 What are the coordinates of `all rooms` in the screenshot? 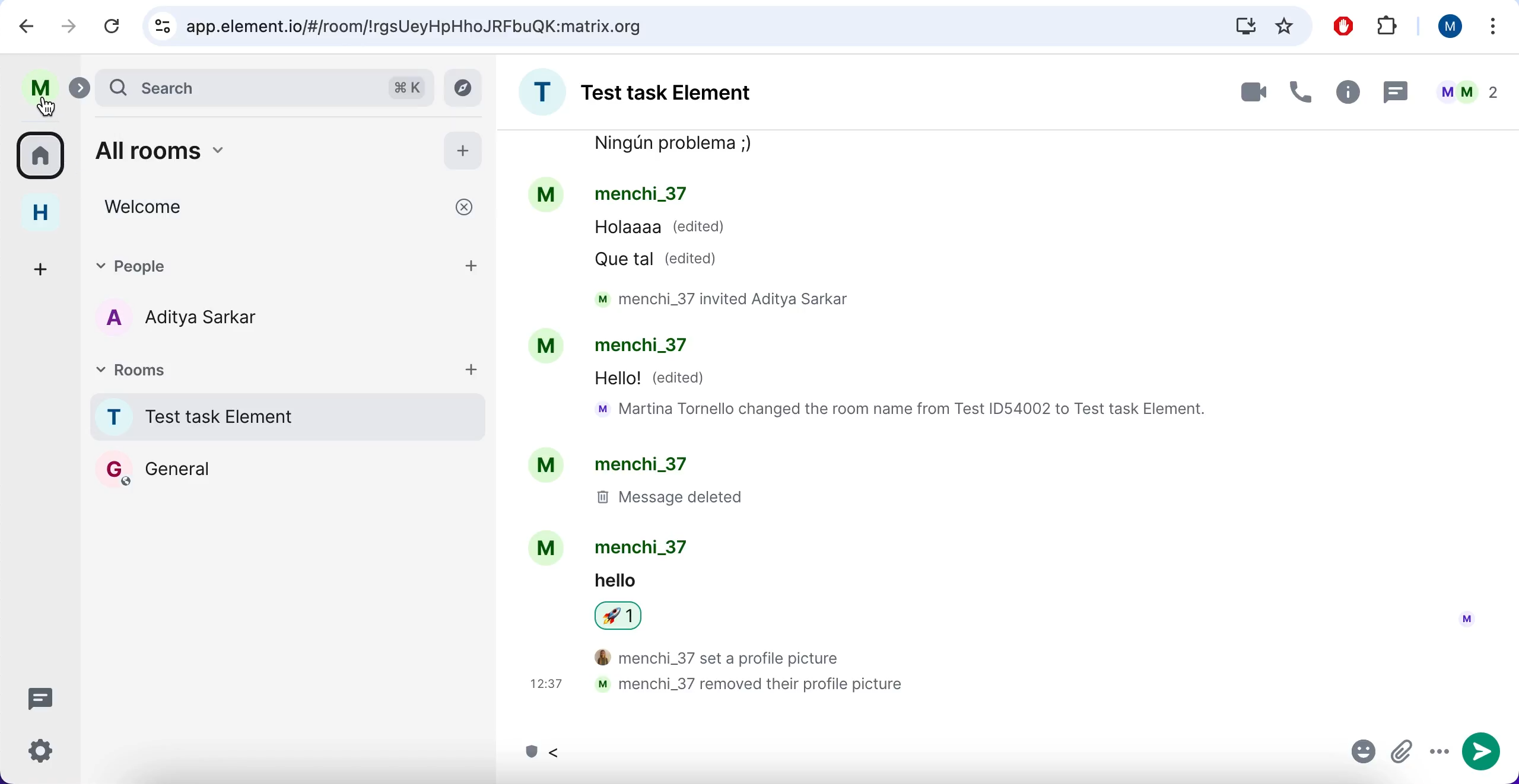 It's located at (42, 160).